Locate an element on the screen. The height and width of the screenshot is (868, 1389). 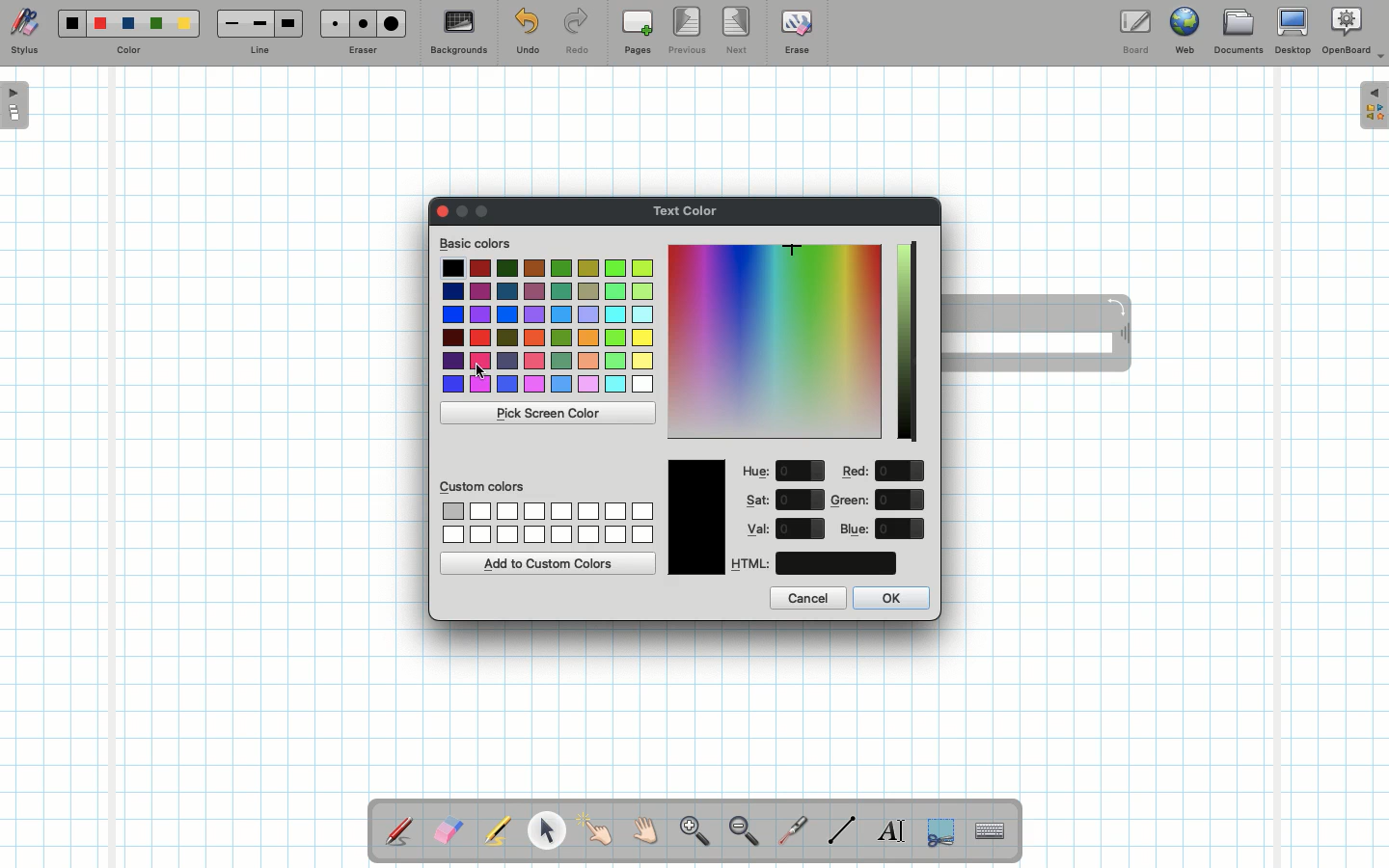
Web is located at coordinates (1184, 35).